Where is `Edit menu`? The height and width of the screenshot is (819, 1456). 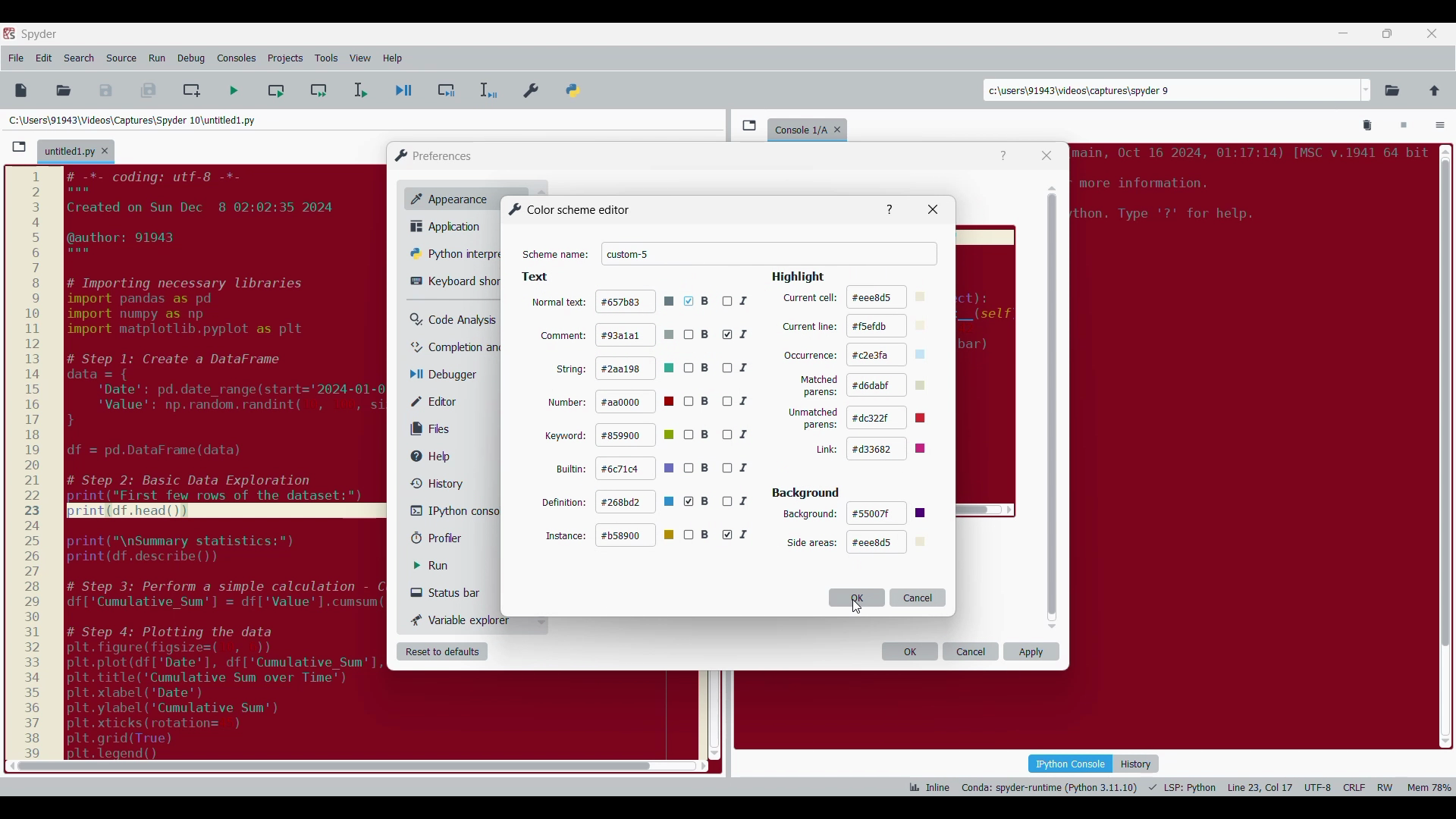 Edit menu is located at coordinates (44, 58).